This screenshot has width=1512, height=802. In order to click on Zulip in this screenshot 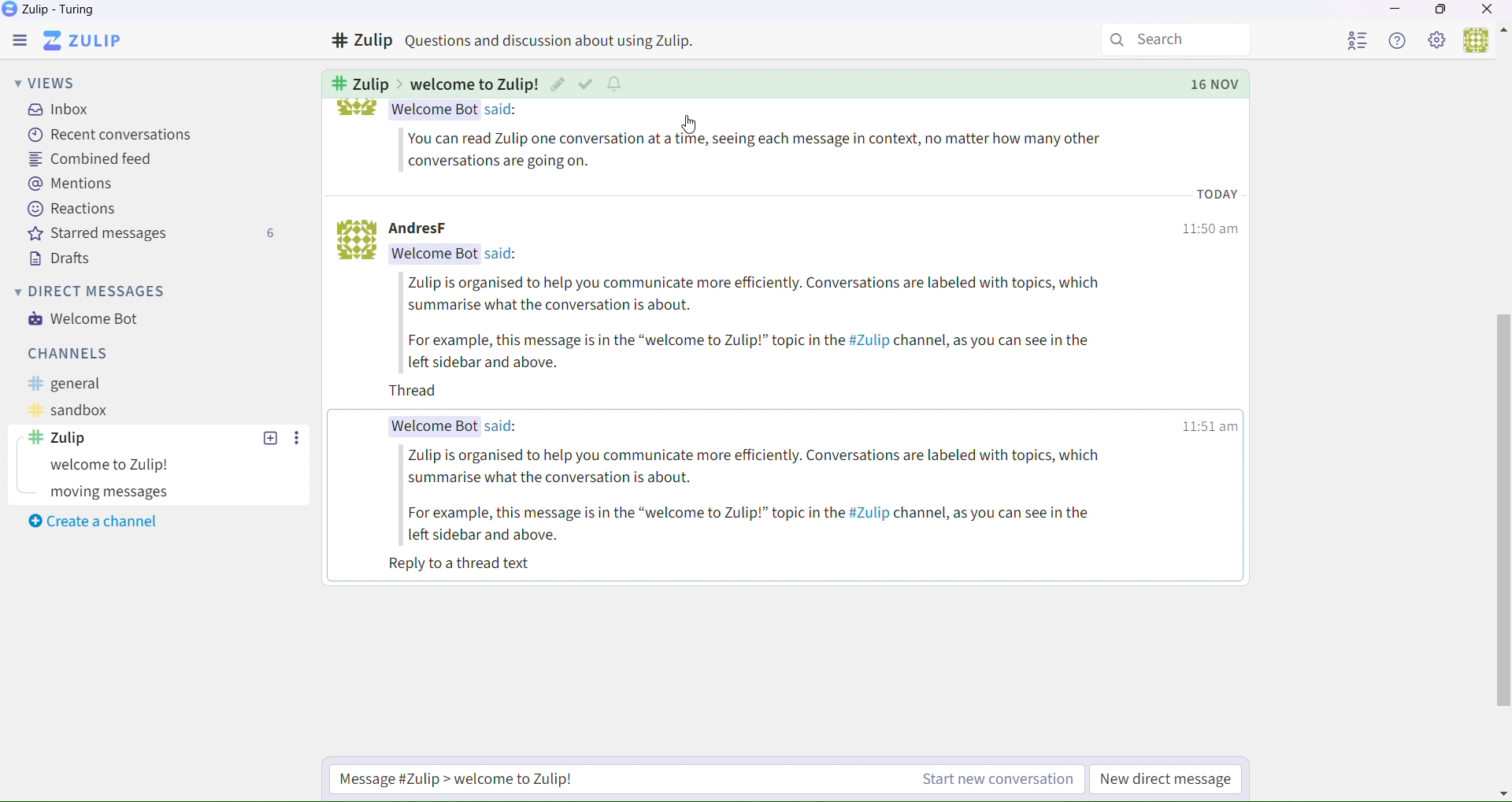, I will do `click(54, 12)`.